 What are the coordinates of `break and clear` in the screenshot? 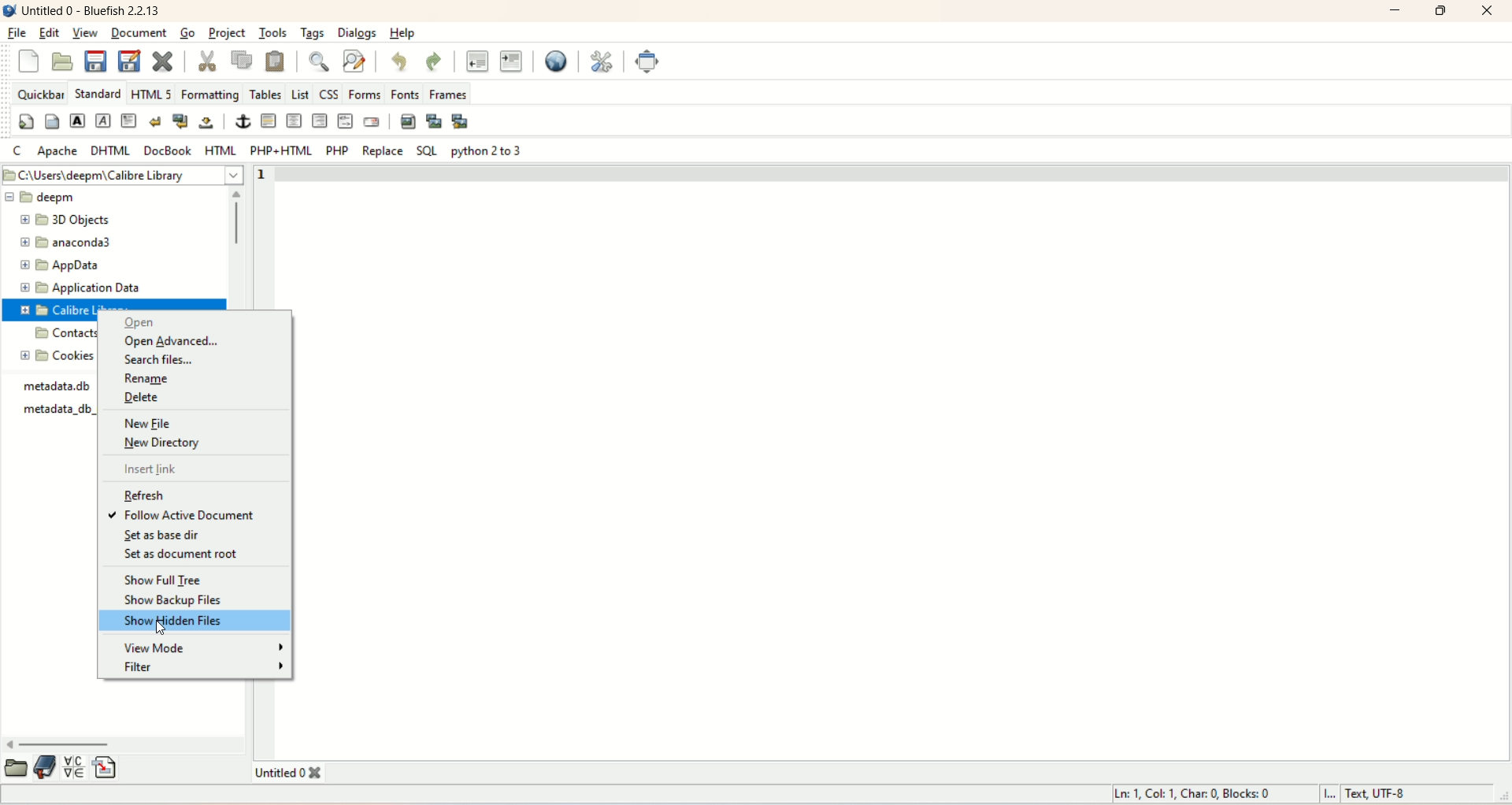 It's located at (180, 120).